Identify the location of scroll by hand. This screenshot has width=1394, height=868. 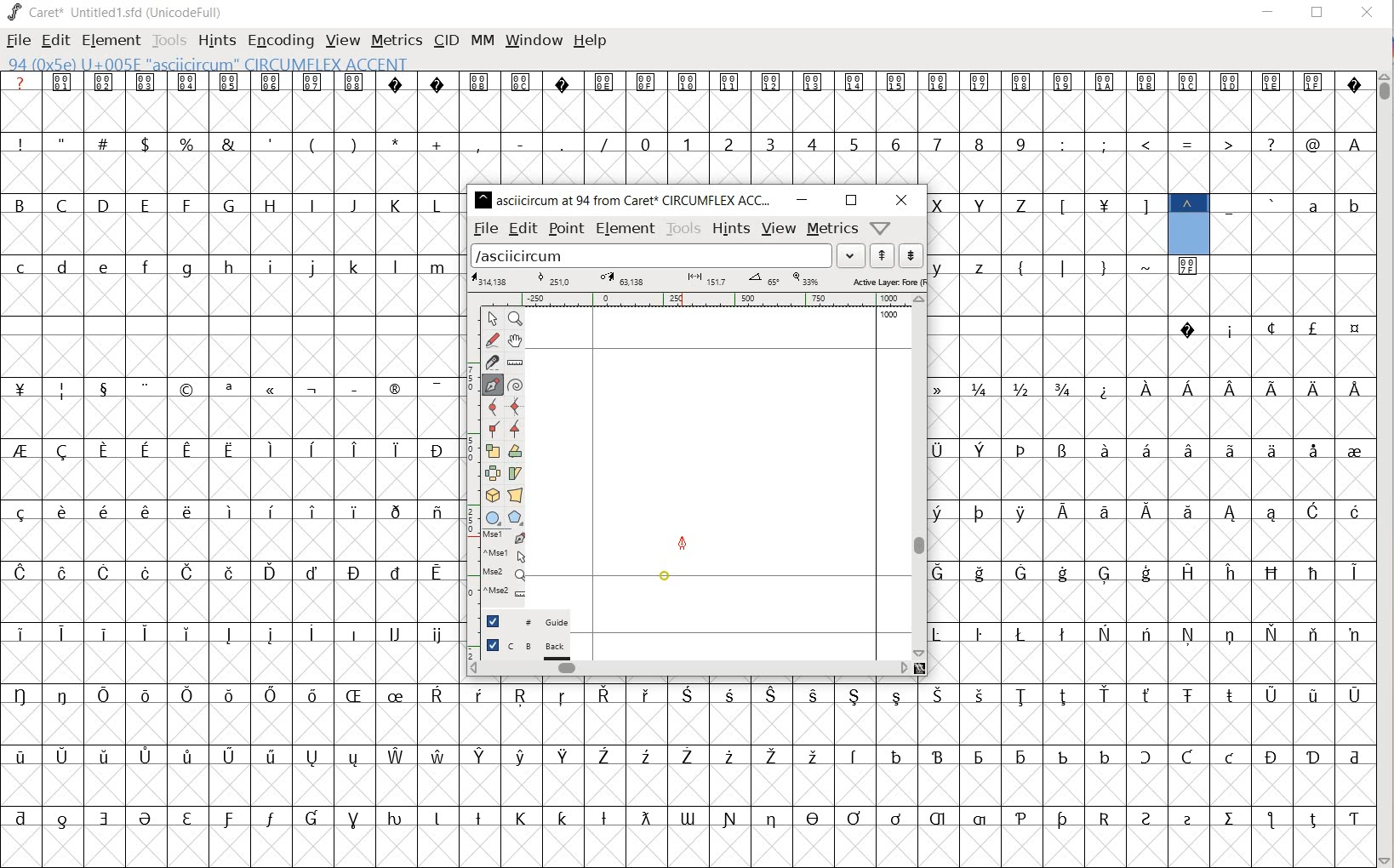
(517, 340).